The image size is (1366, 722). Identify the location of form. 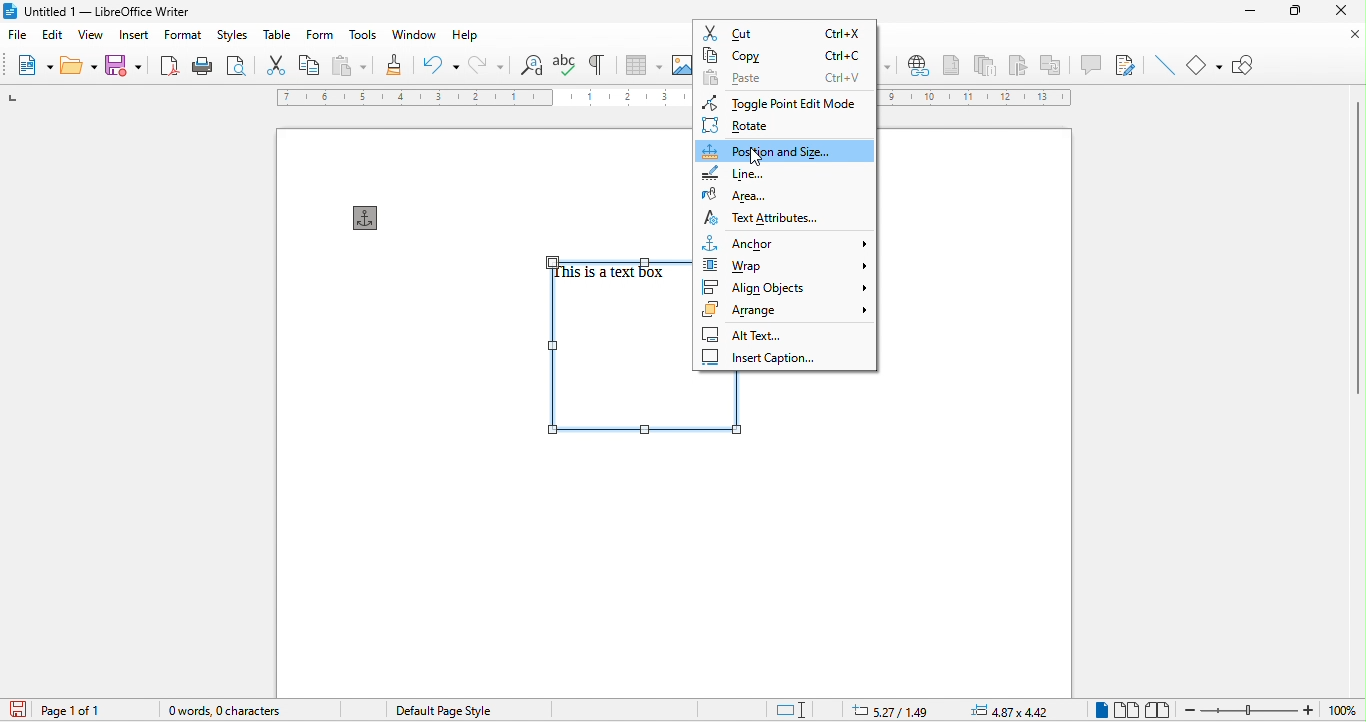
(316, 36).